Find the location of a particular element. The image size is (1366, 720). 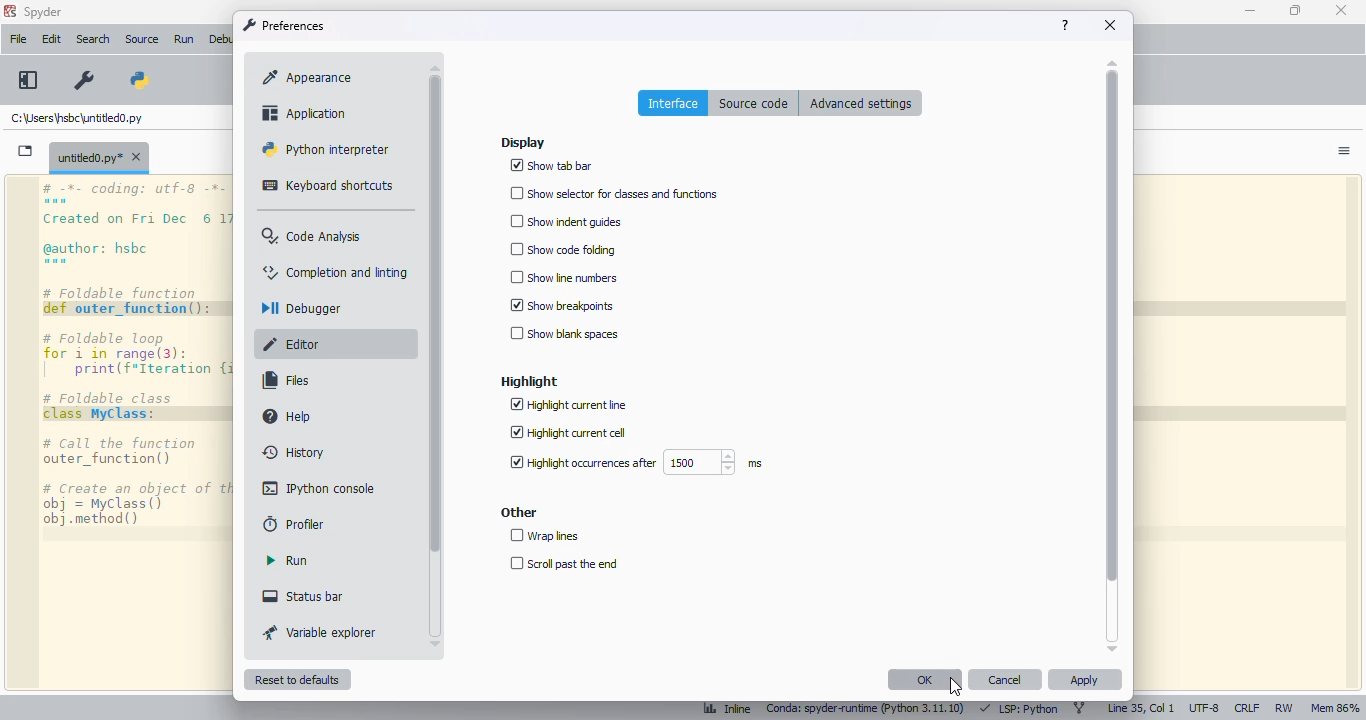

profiler is located at coordinates (295, 524).